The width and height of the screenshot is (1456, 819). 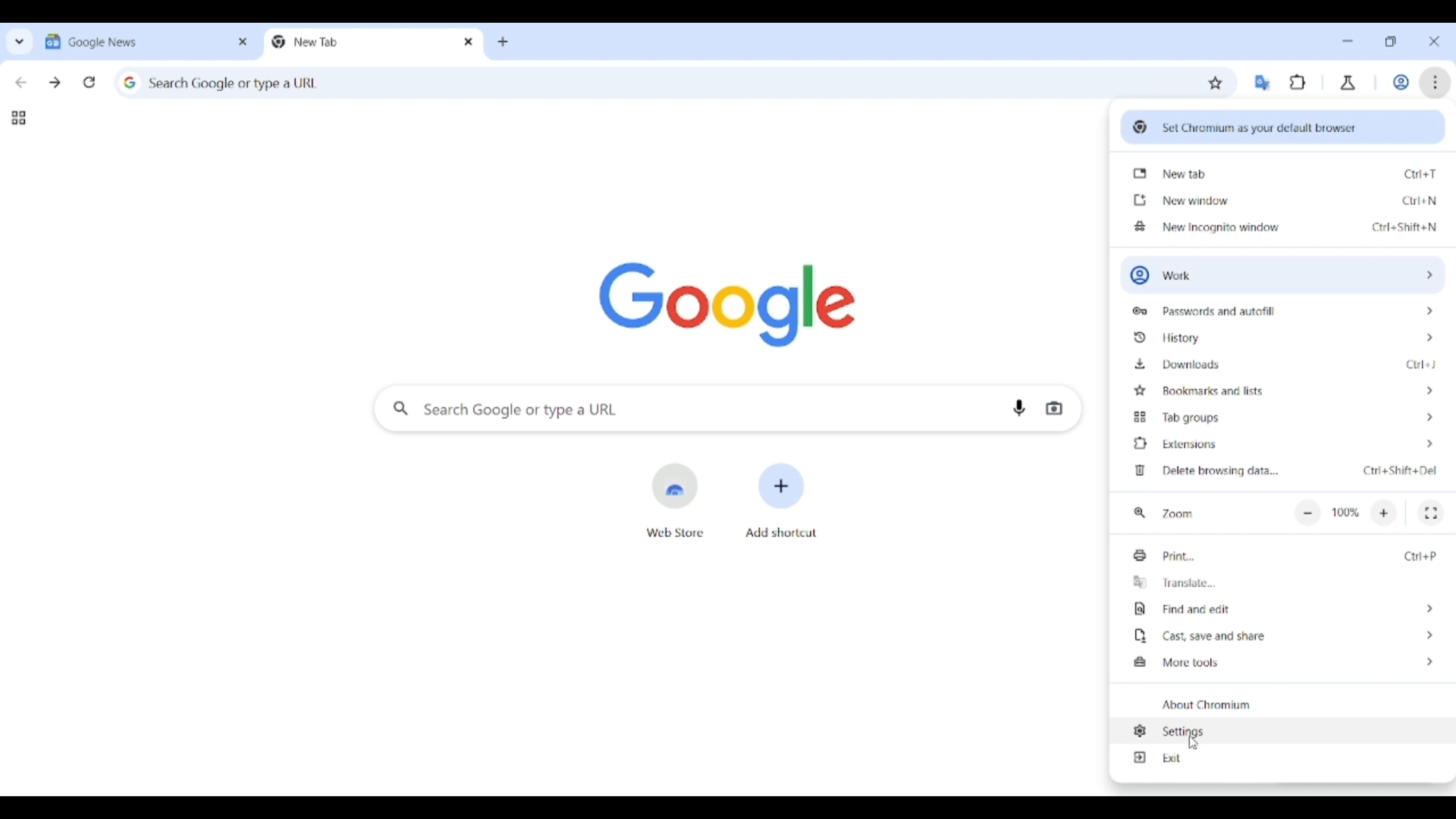 What do you see at coordinates (1283, 125) in the screenshot?
I see `Set Chromium as you default browser` at bounding box center [1283, 125].